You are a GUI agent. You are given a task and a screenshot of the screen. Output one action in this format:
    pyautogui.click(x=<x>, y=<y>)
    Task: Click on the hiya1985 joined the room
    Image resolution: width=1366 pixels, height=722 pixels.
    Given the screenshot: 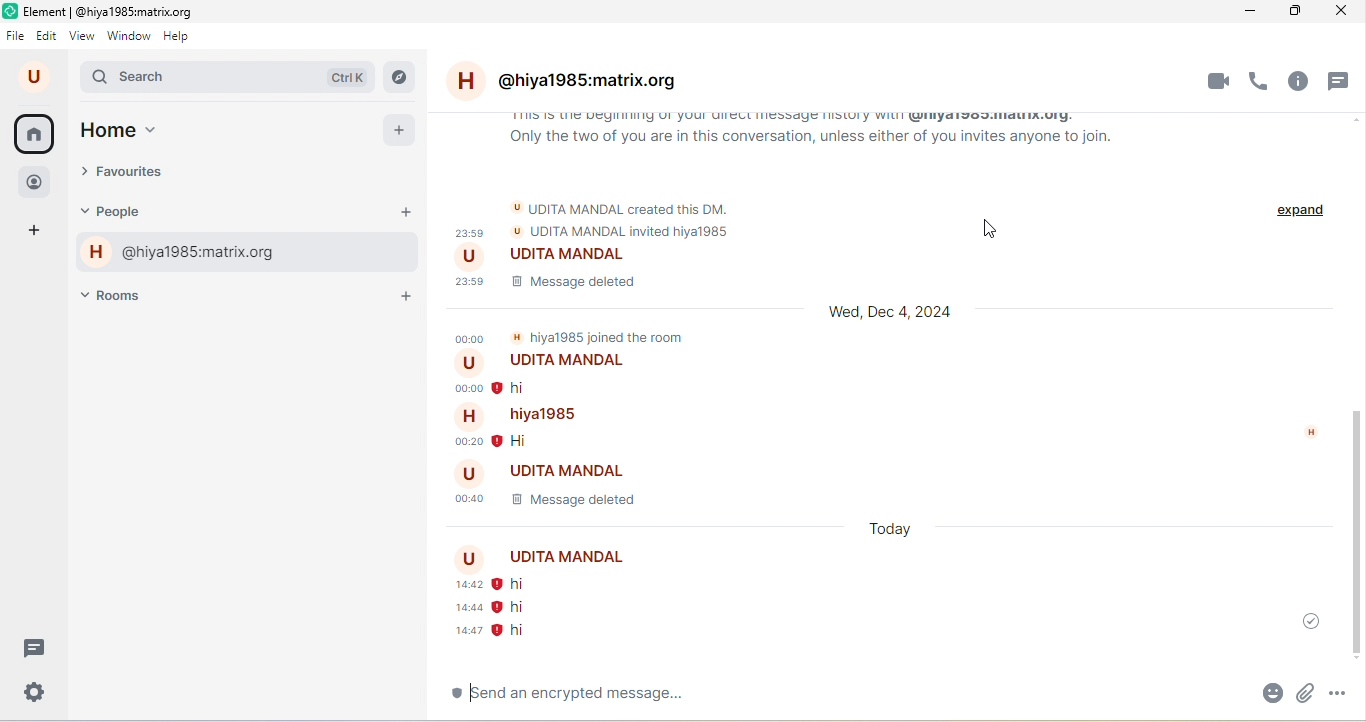 What is the action you would take?
    pyautogui.click(x=598, y=333)
    